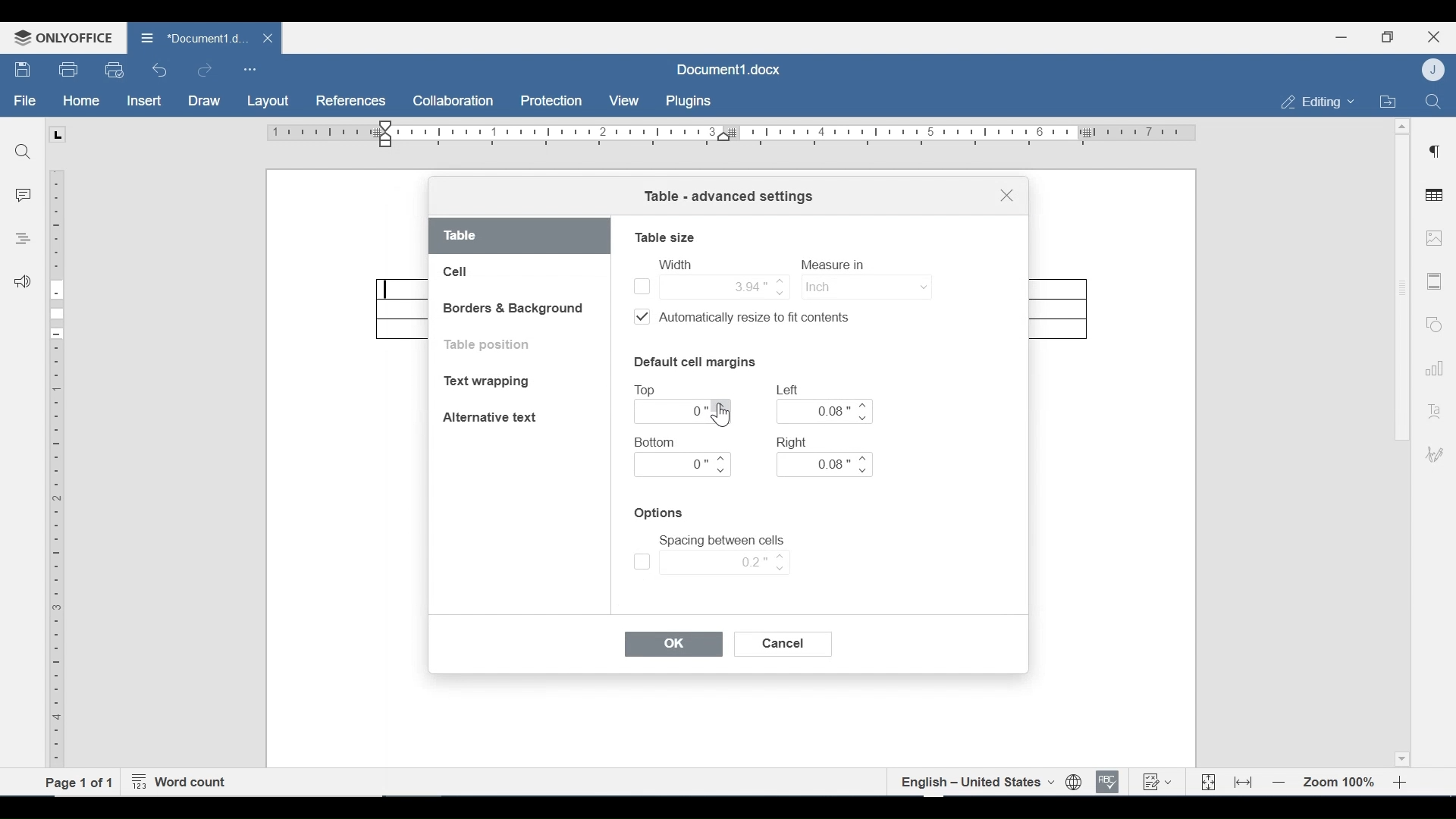 This screenshot has height=819, width=1456. I want to click on Paragraph Settings, so click(1435, 149).